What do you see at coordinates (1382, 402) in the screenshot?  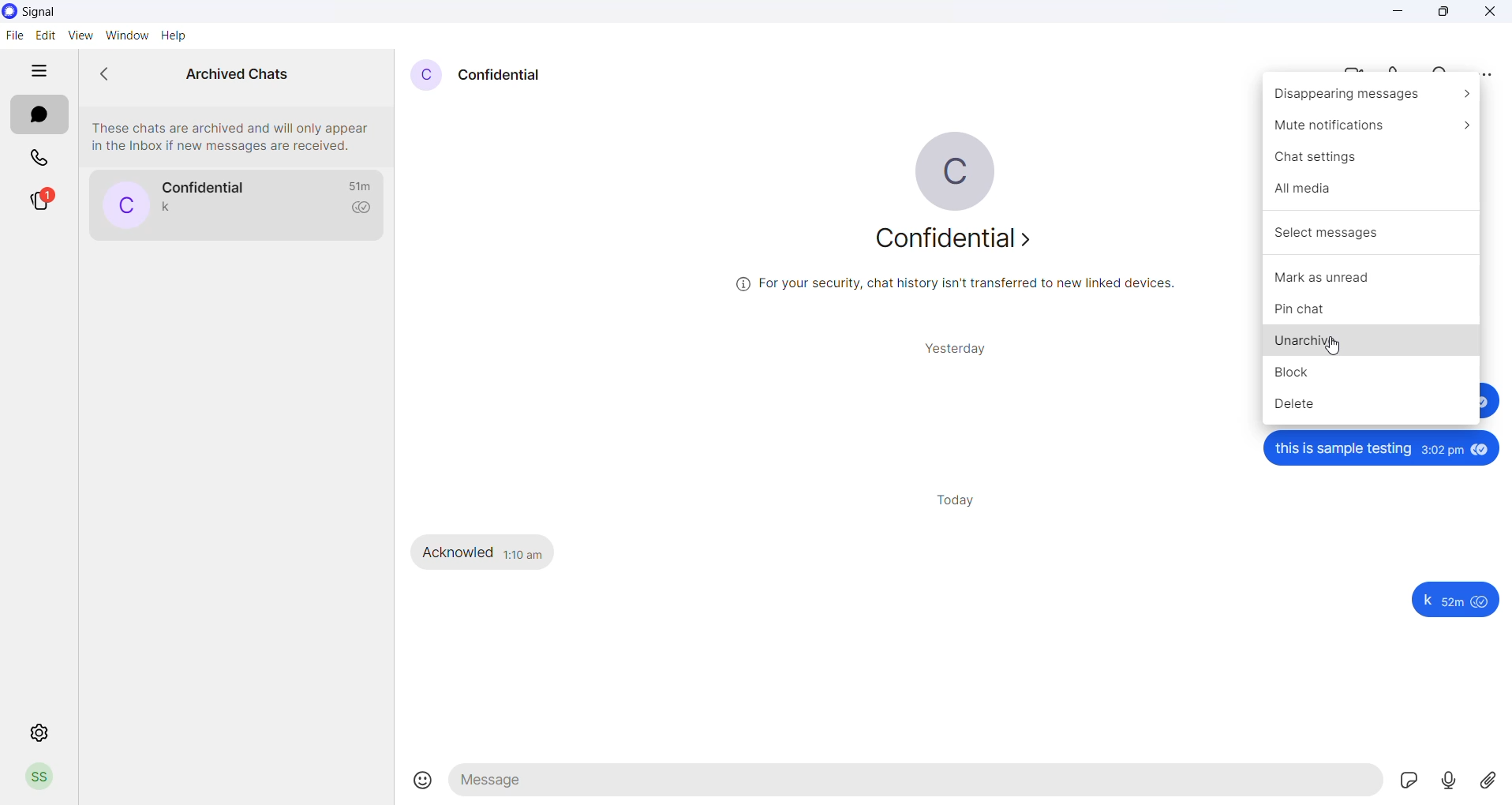 I see `delete` at bounding box center [1382, 402].